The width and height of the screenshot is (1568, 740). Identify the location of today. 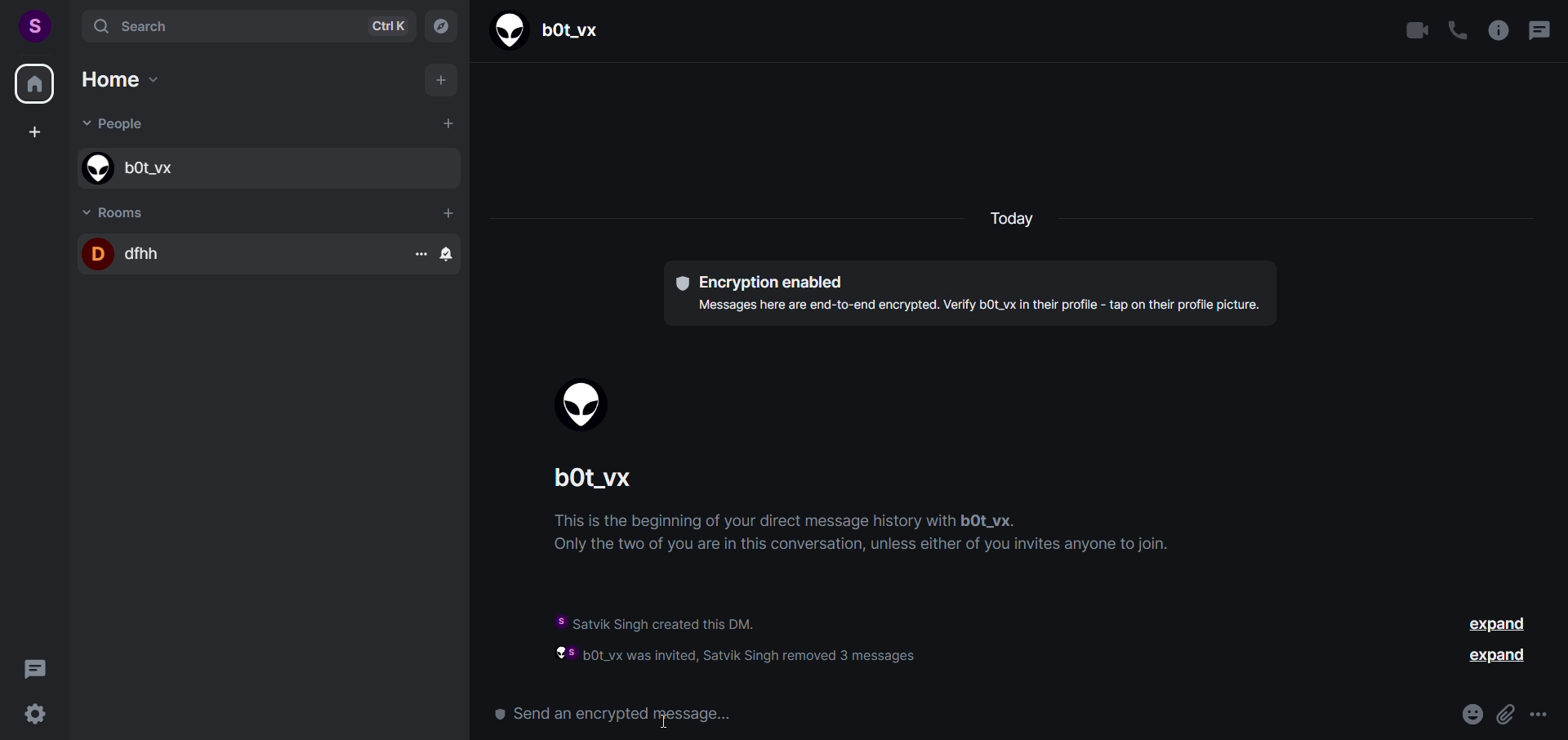
(1010, 220).